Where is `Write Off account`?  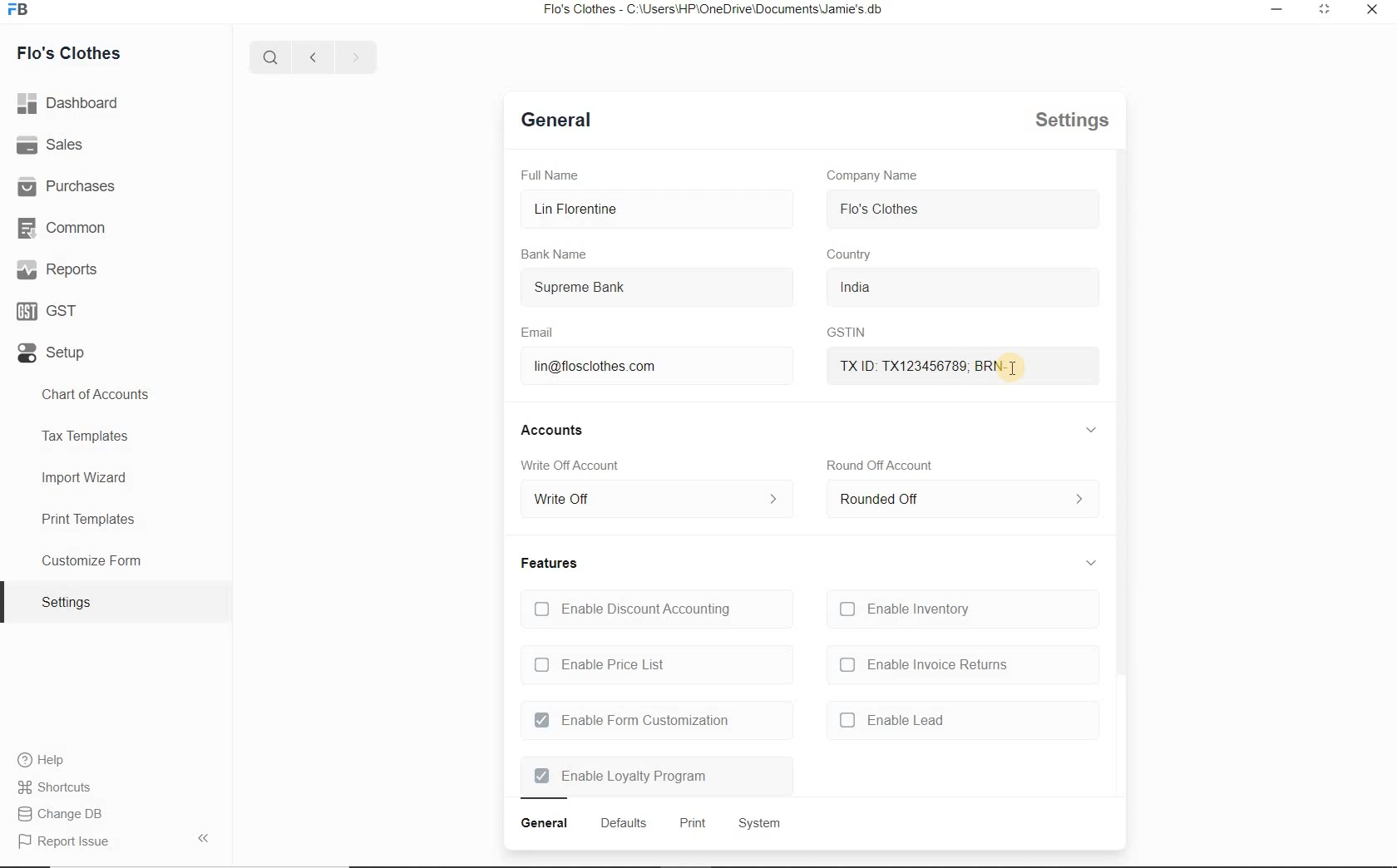 Write Off account is located at coordinates (575, 467).